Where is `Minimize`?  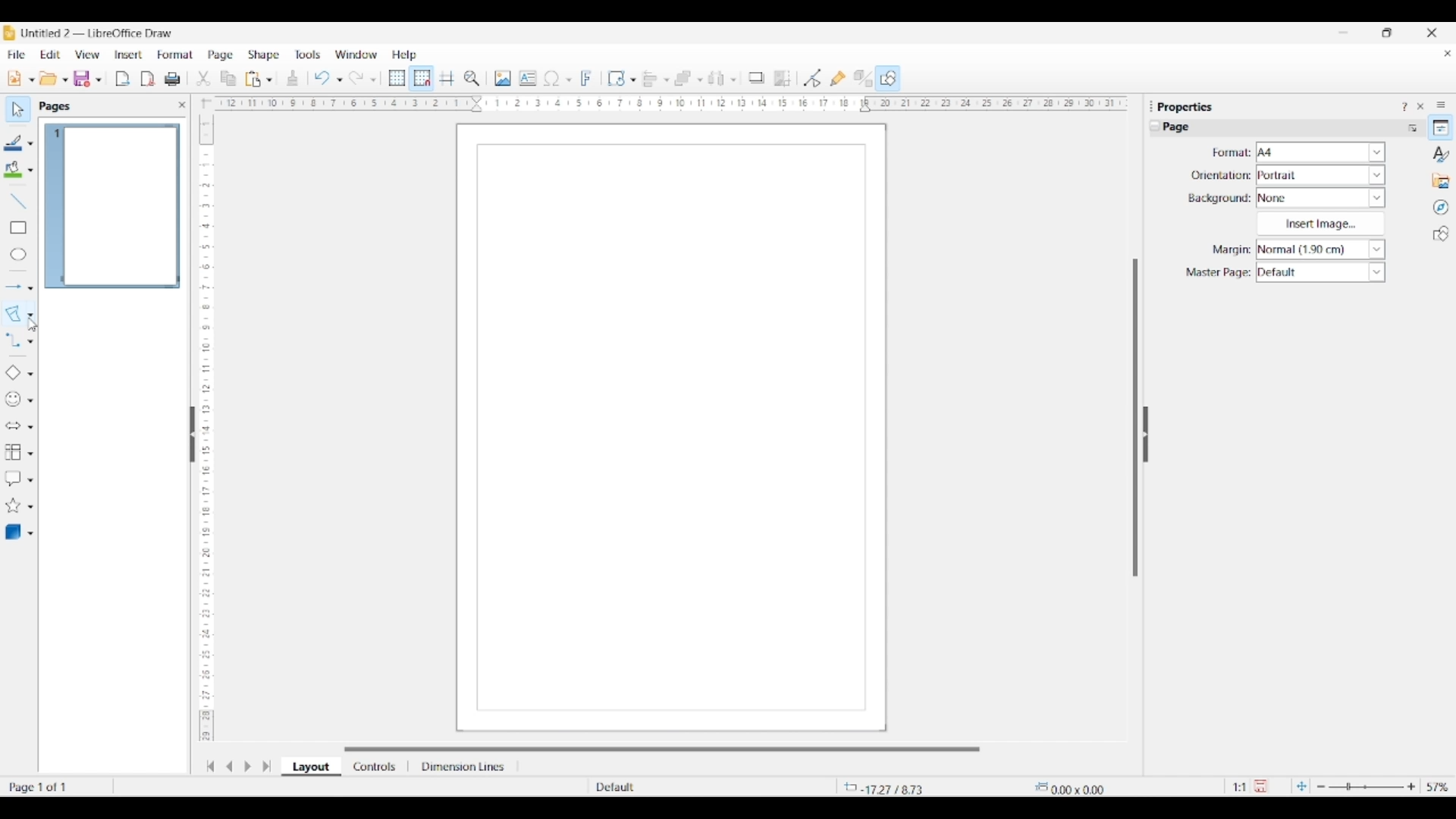 Minimize is located at coordinates (1344, 33).